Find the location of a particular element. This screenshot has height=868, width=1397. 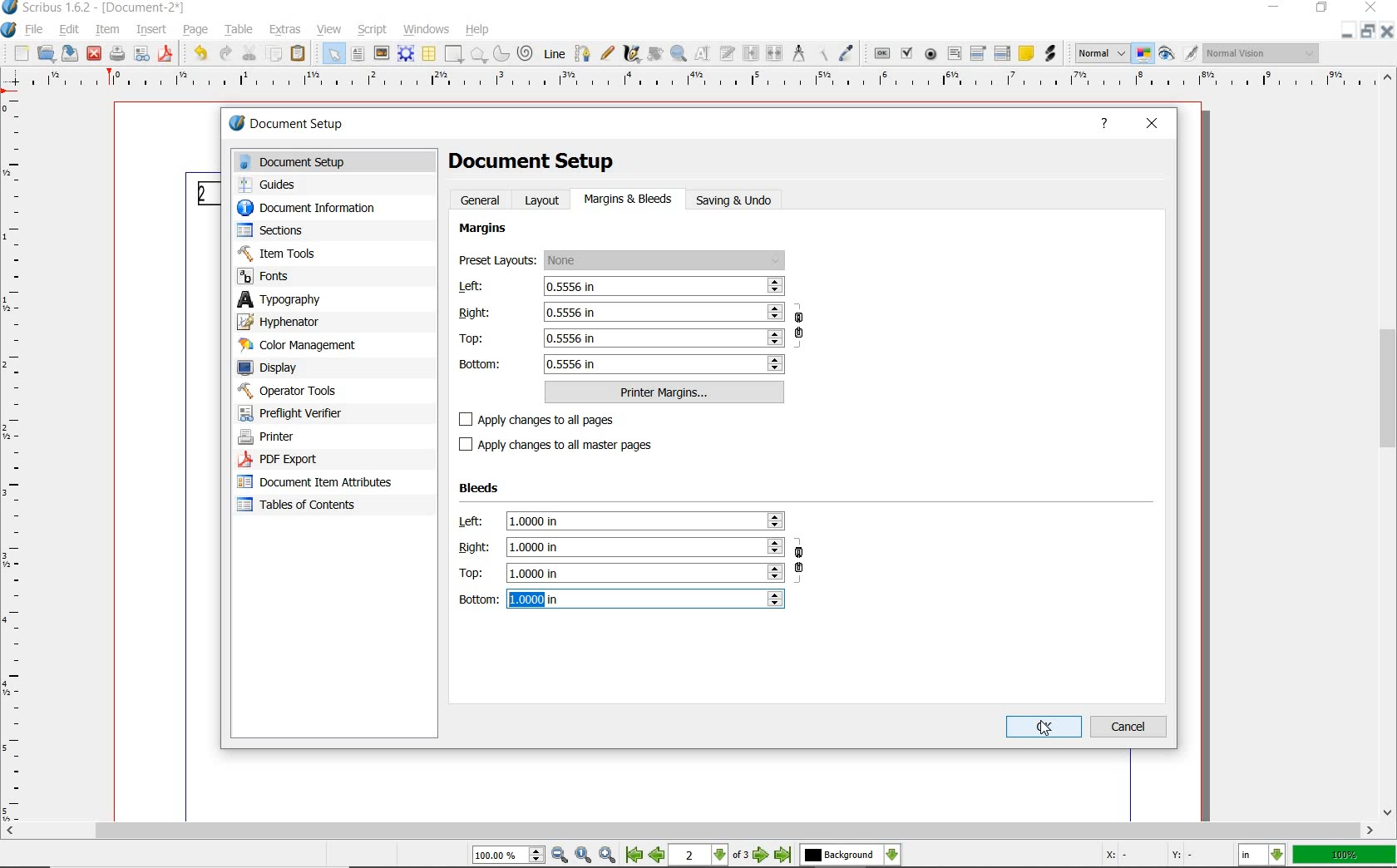

pdf push button is located at coordinates (883, 54).